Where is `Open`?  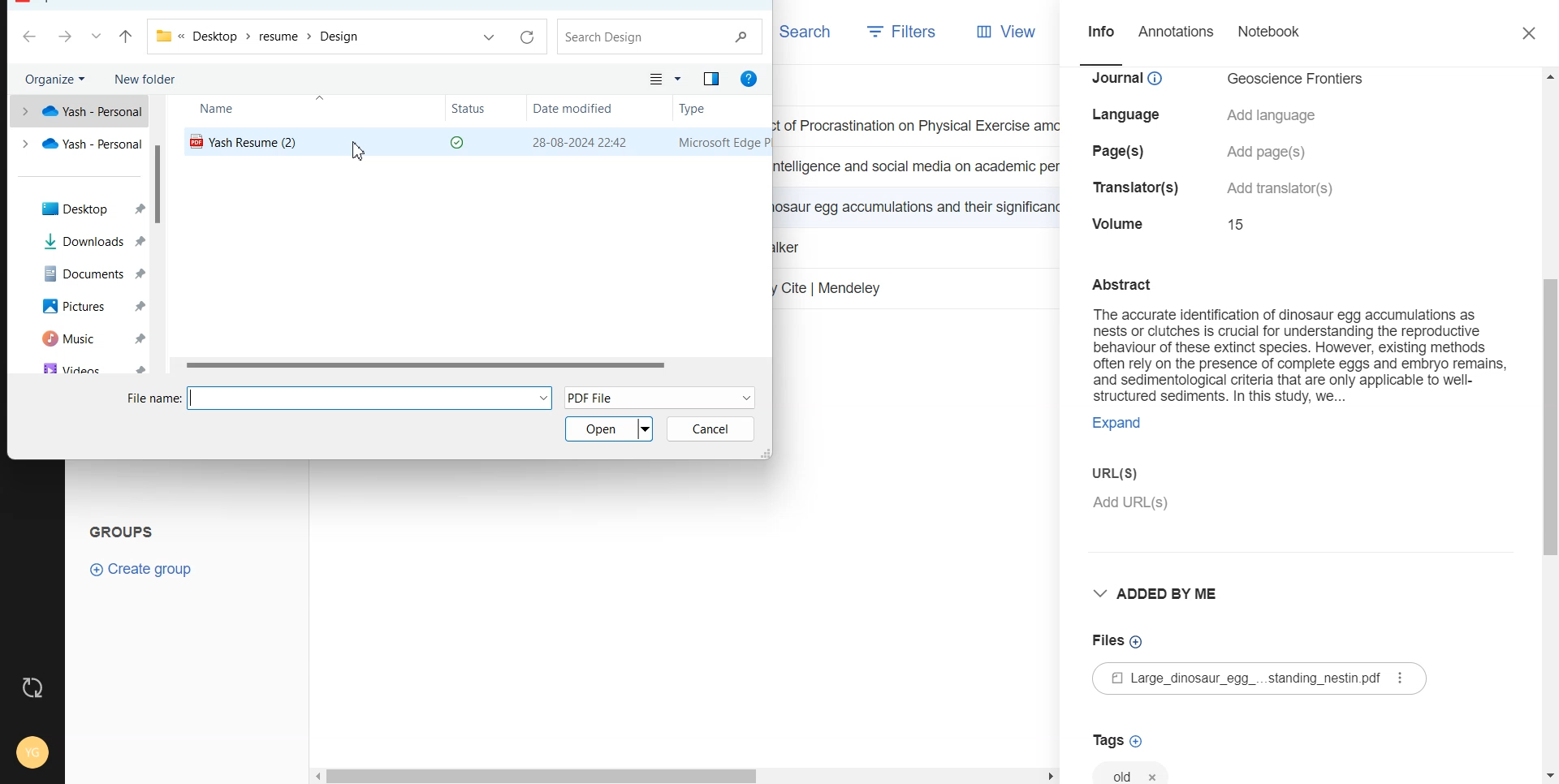 Open is located at coordinates (610, 429).